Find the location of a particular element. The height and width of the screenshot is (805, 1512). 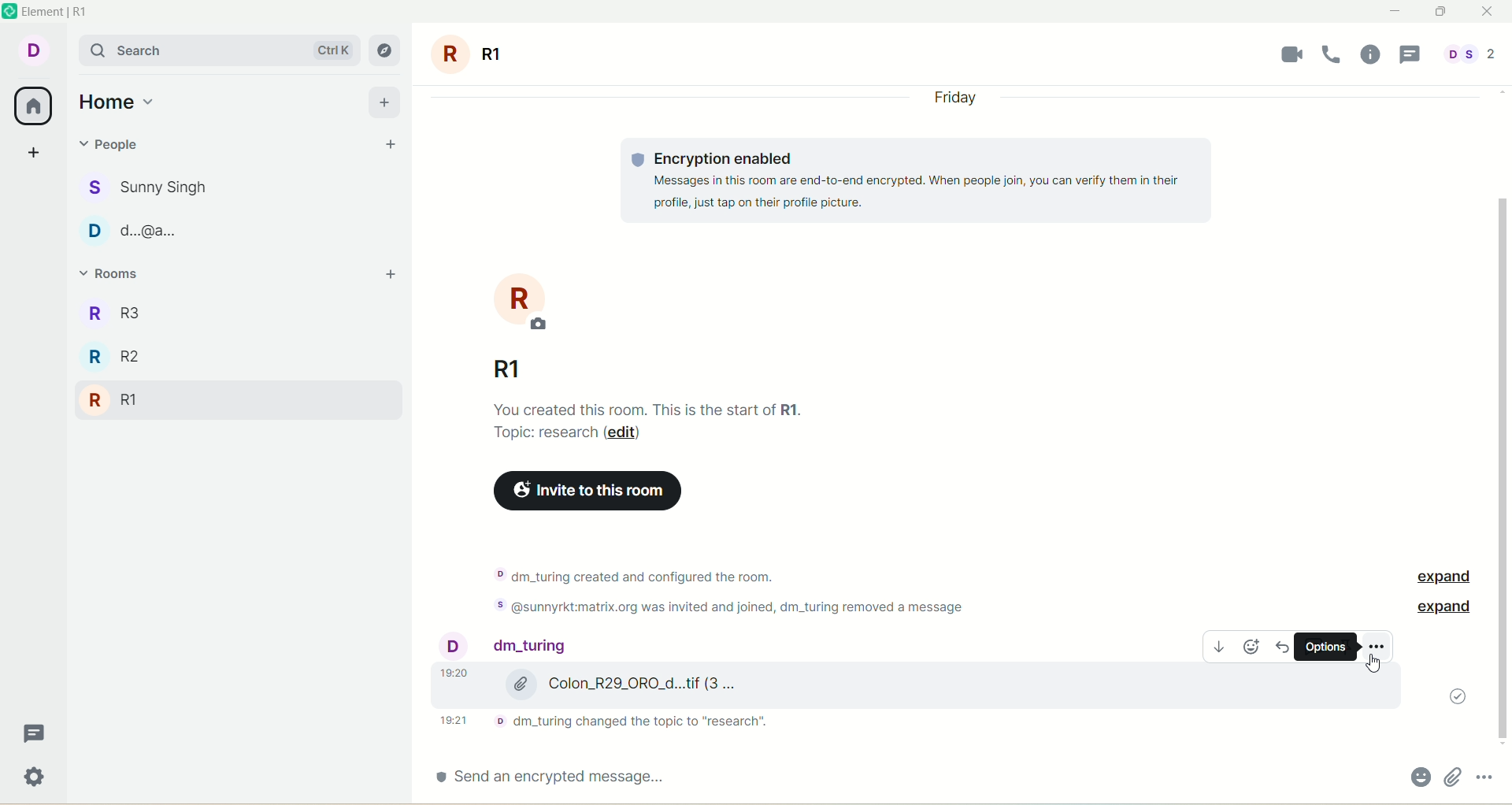

add is located at coordinates (384, 101).